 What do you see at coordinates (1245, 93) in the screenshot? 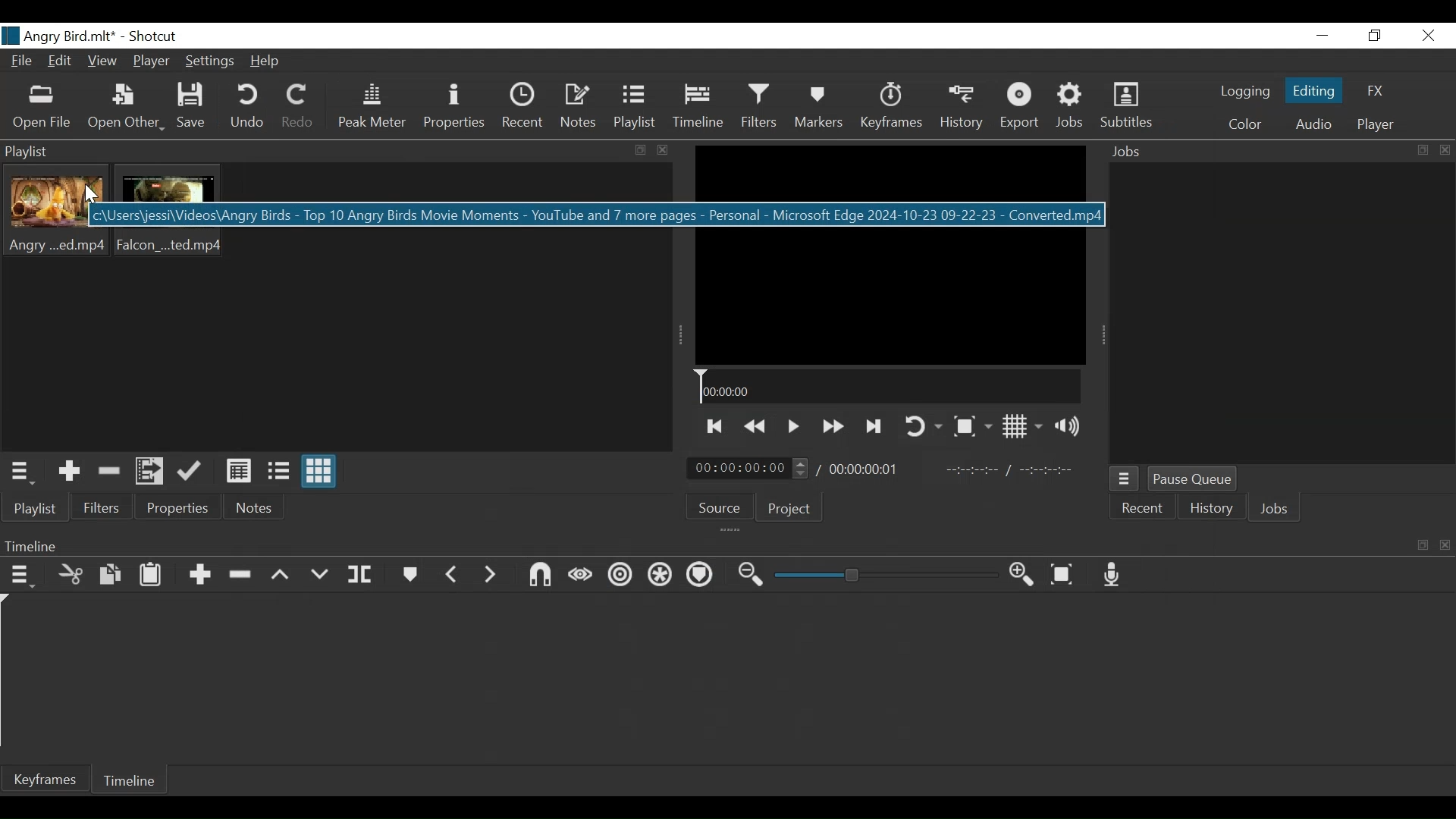
I see `logging` at bounding box center [1245, 93].